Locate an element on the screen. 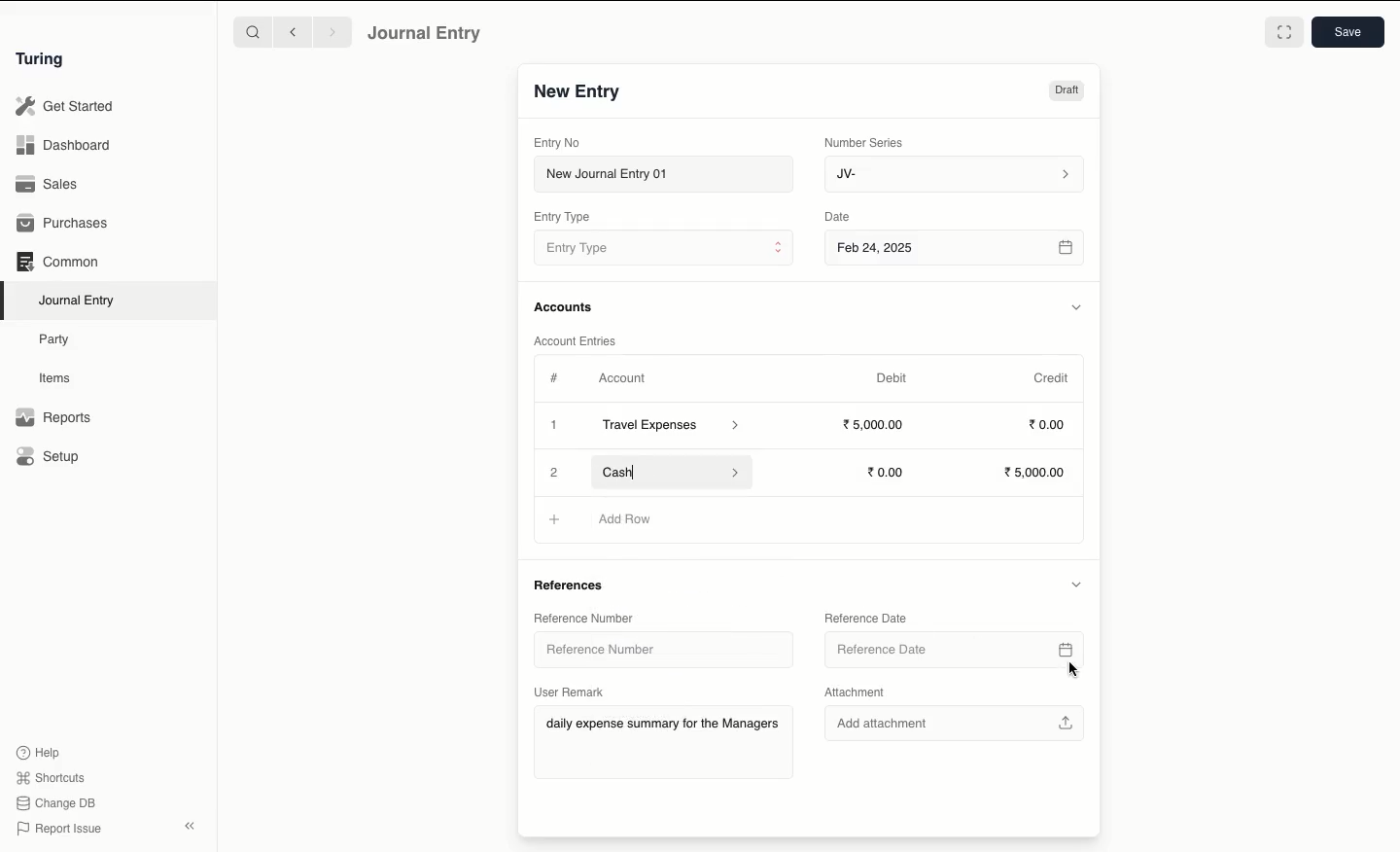 The width and height of the screenshot is (1400, 852). Reference Number is located at coordinates (651, 648).